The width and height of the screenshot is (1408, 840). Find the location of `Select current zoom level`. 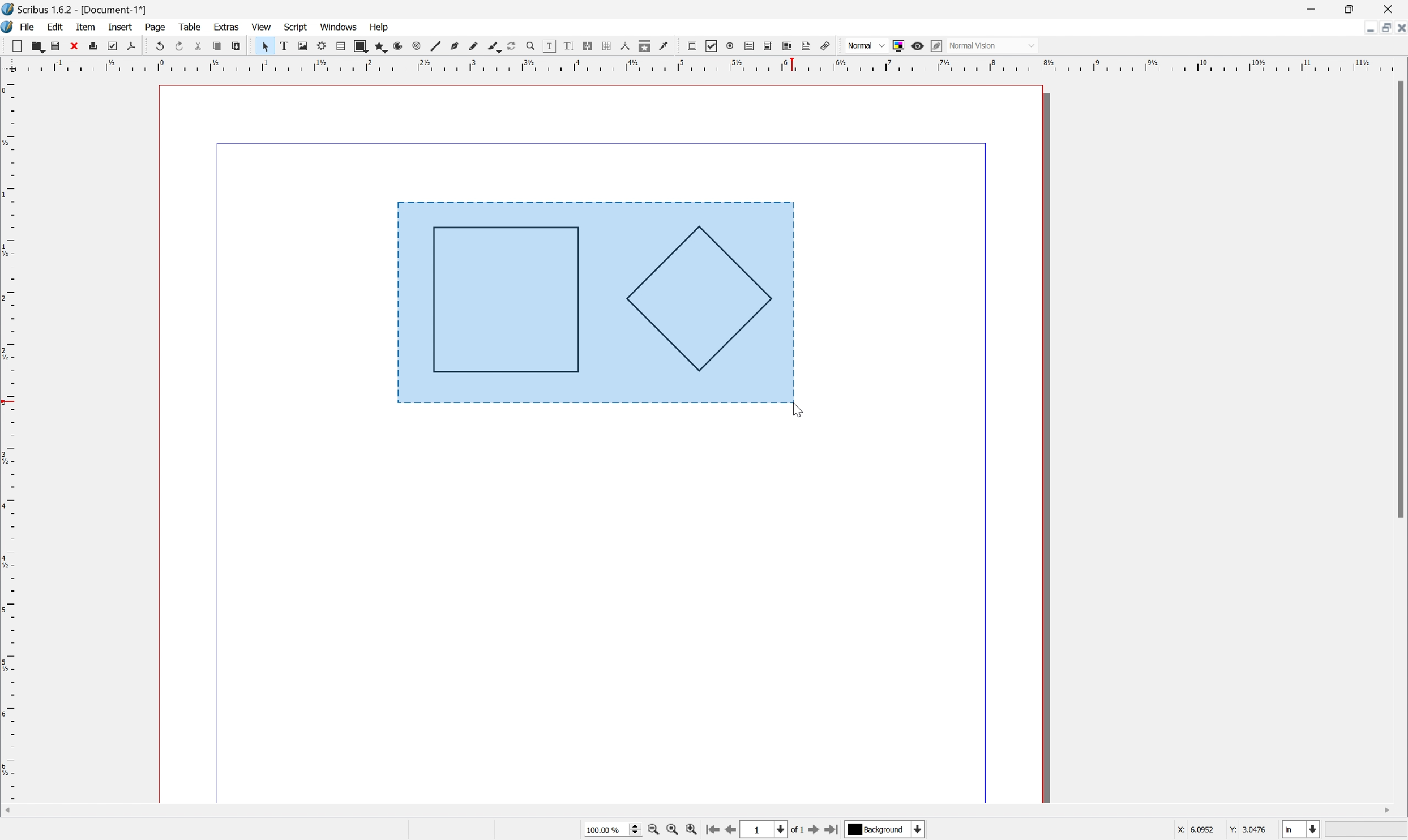

Select current zoom level is located at coordinates (609, 829).